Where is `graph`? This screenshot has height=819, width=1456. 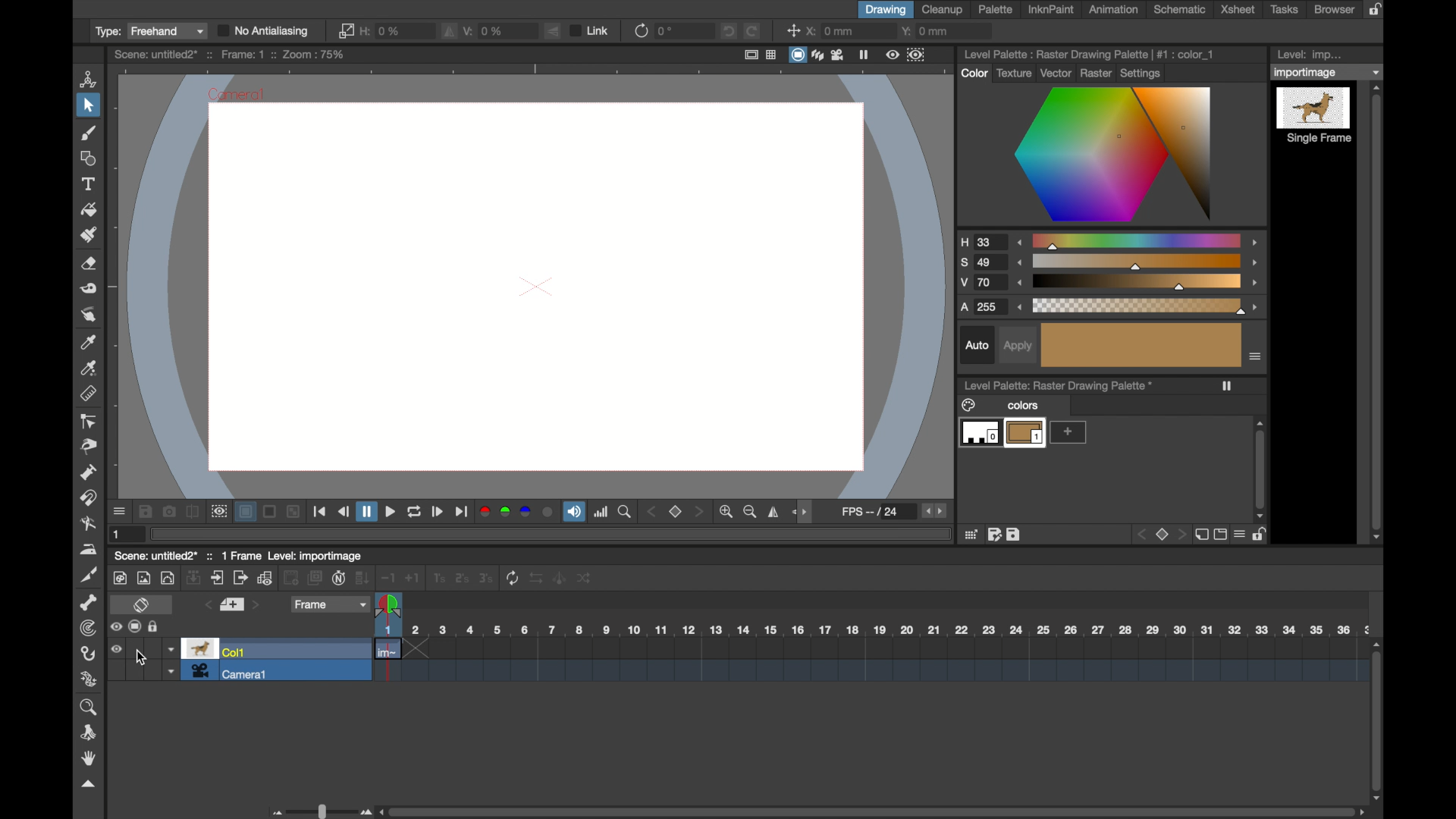 graph is located at coordinates (265, 578).